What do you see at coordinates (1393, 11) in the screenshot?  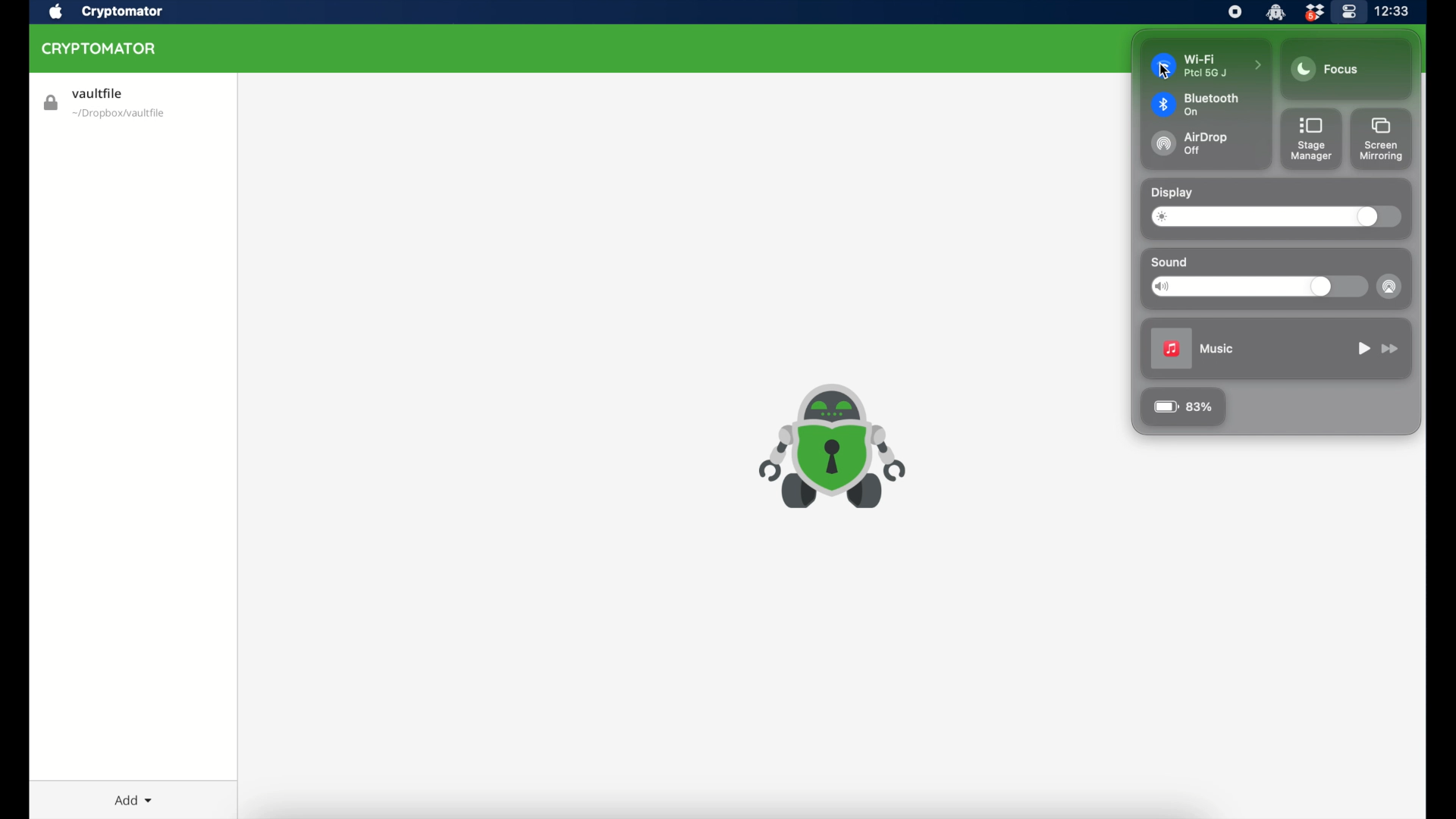 I see `time` at bounding box center [1393, 11].